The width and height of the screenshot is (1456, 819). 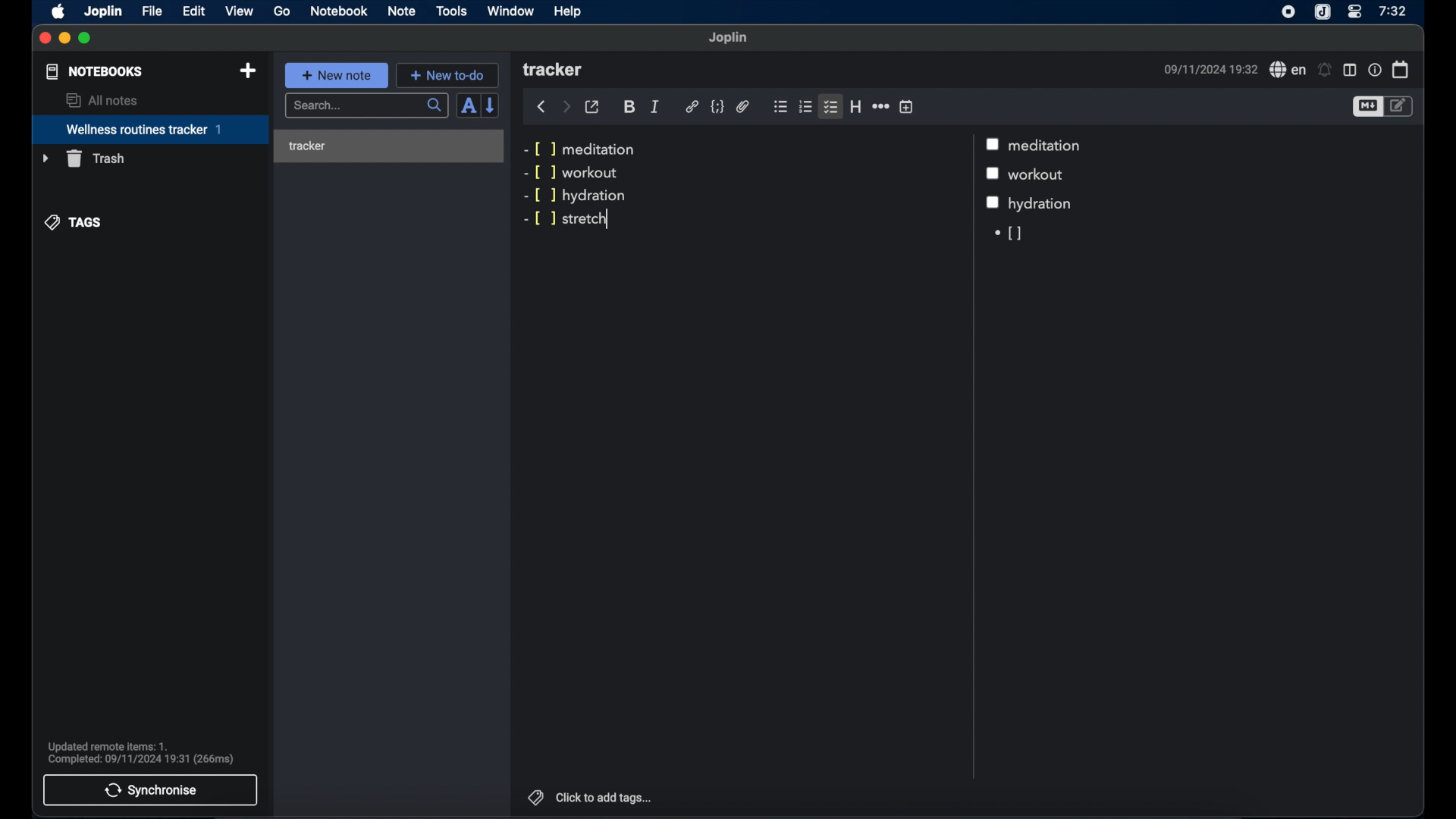 What do you see at coordinates (388, 146) in the screenshot?
I see `tracker` at bounding box center [388, 146].